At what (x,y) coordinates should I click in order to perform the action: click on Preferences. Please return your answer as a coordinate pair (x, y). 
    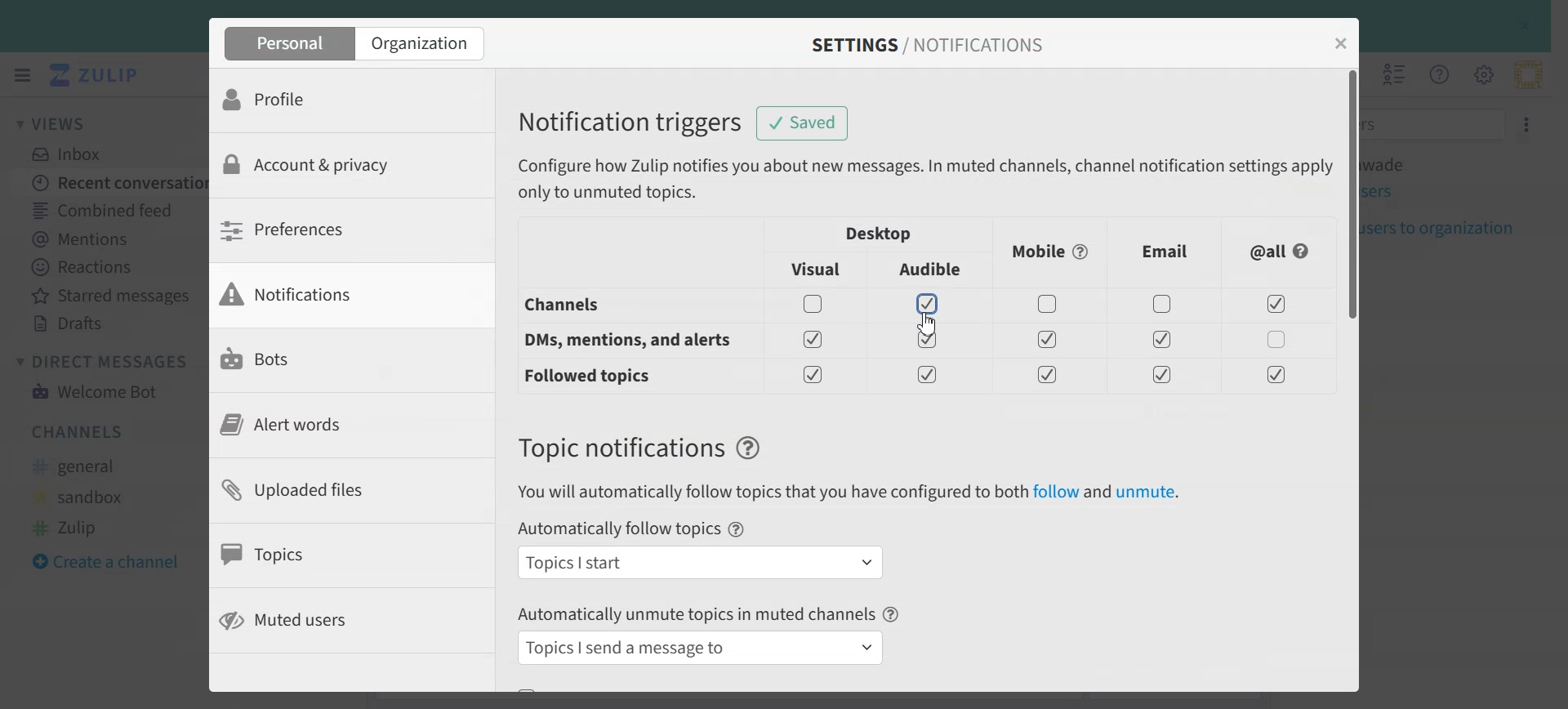
    Looking at the image, I should click on (330, 230).